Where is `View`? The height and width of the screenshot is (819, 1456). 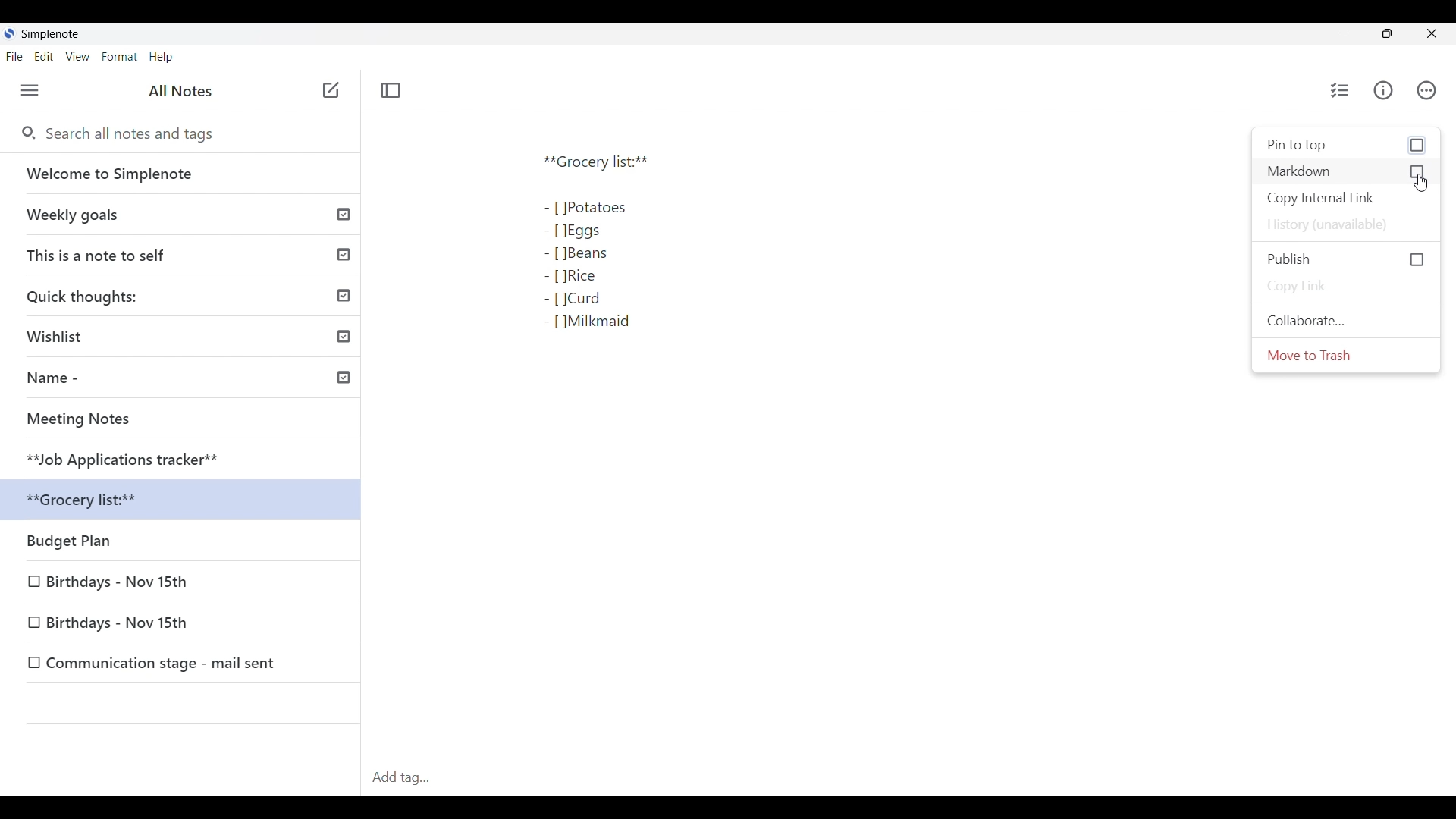 View is located at coordinates (78, 57).